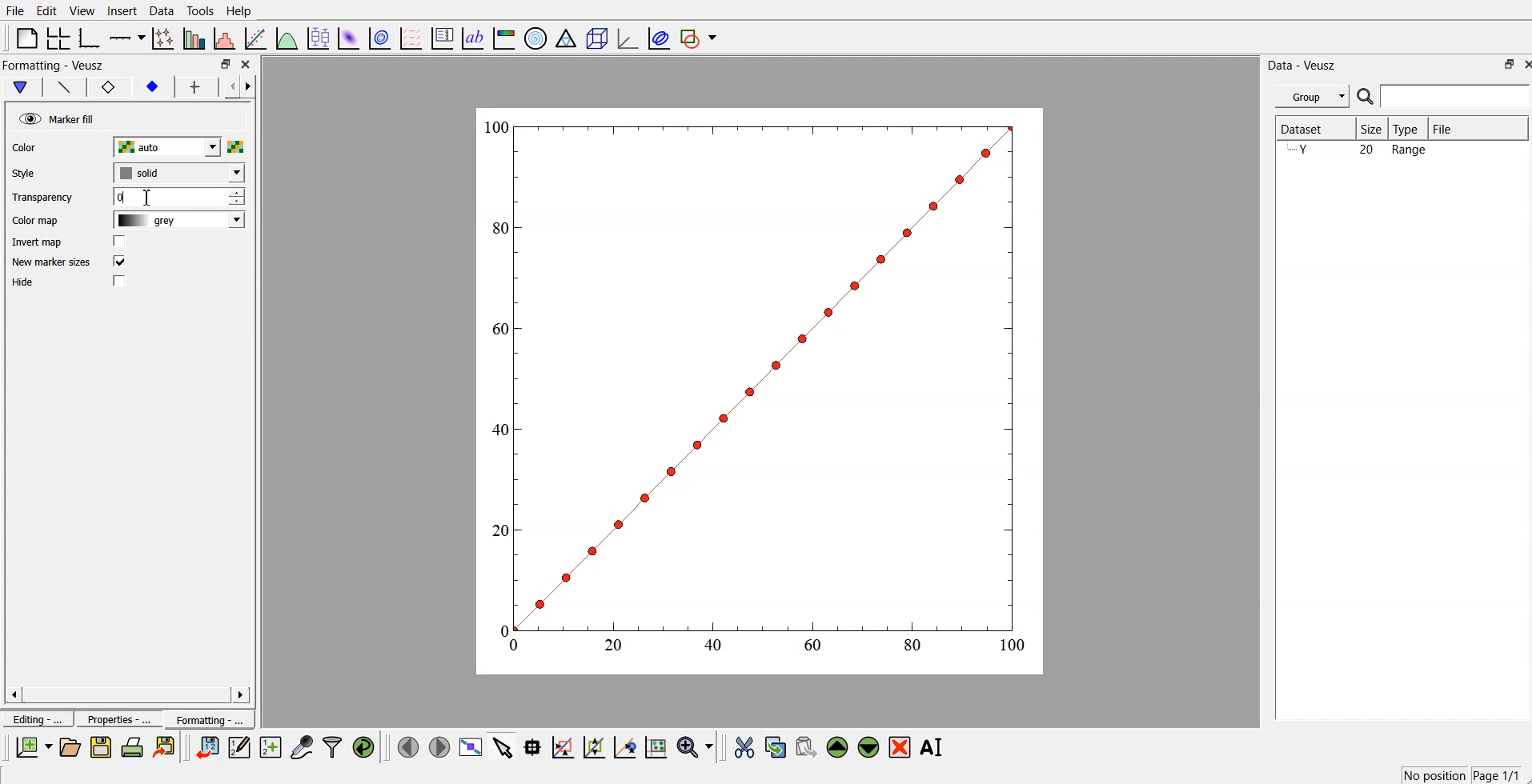 This screenshot has height=784, width=1532. What do you see at coordinates (626, 745) in the screenshot?
I see `click to recentre graph axes` at bounding box center [626, 745].